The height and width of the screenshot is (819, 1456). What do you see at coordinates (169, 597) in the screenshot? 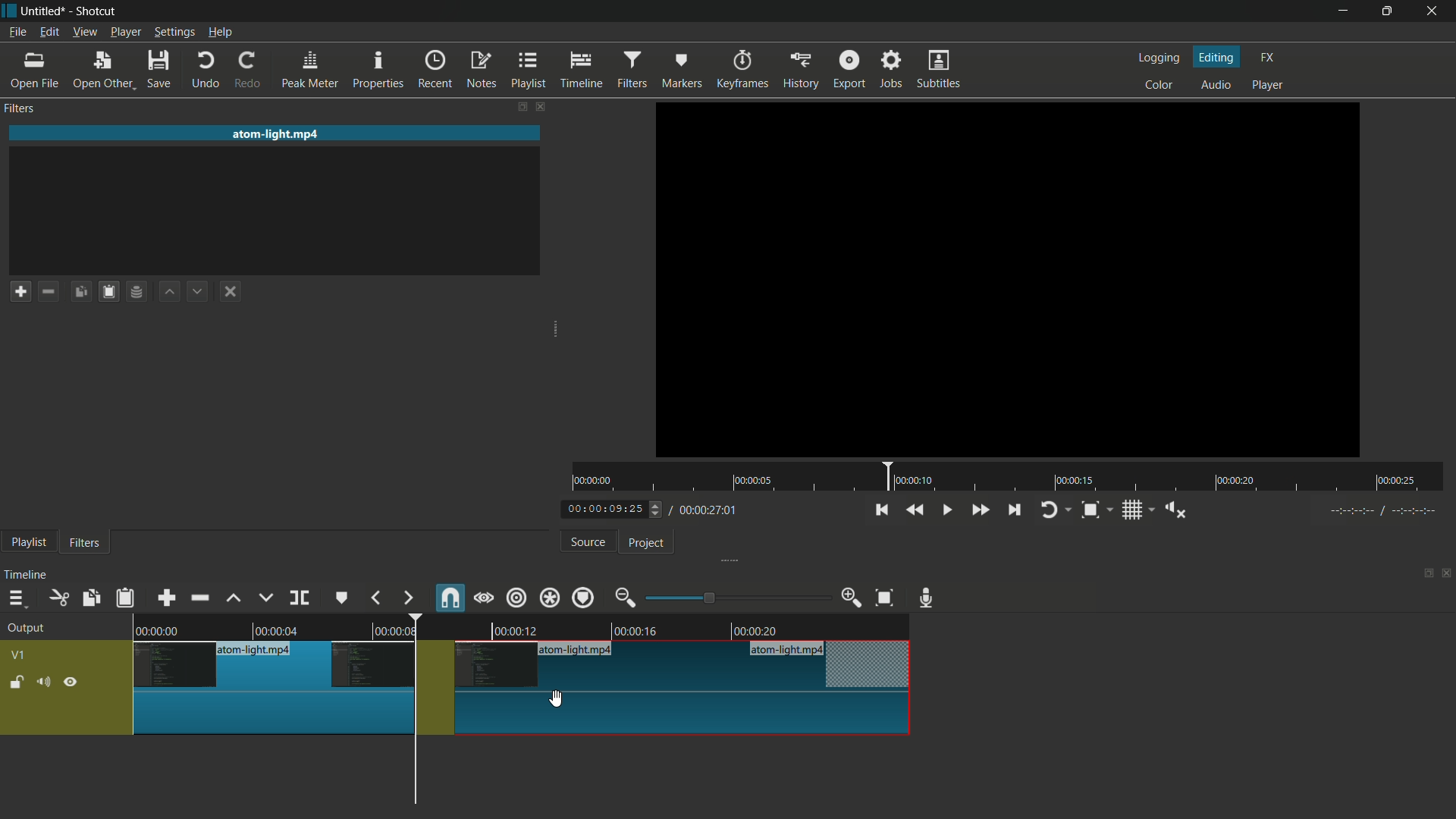
I see `append` at bounding box center [169, 597].